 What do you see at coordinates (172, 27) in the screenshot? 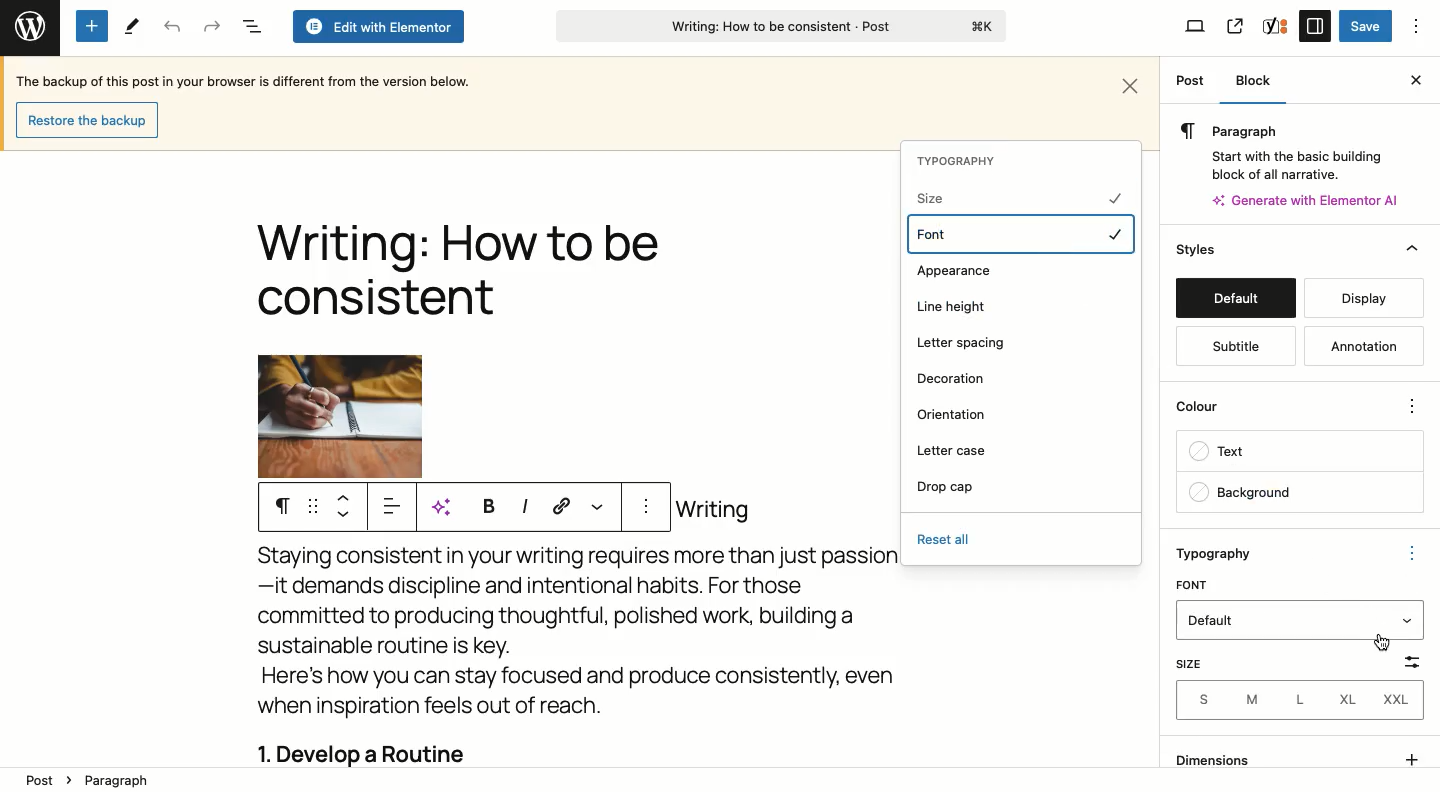
I see `Undo` at bounding box center [172, 27].